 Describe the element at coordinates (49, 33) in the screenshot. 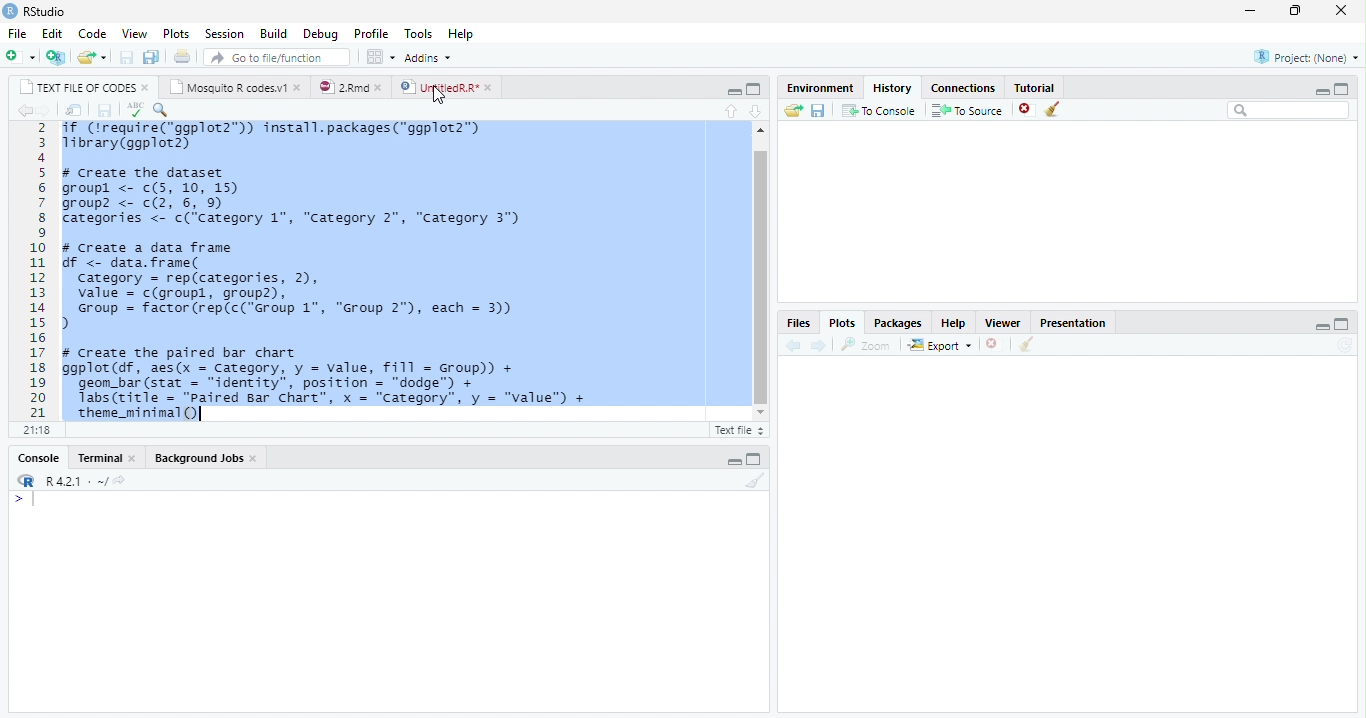

I see `edit` at that location.